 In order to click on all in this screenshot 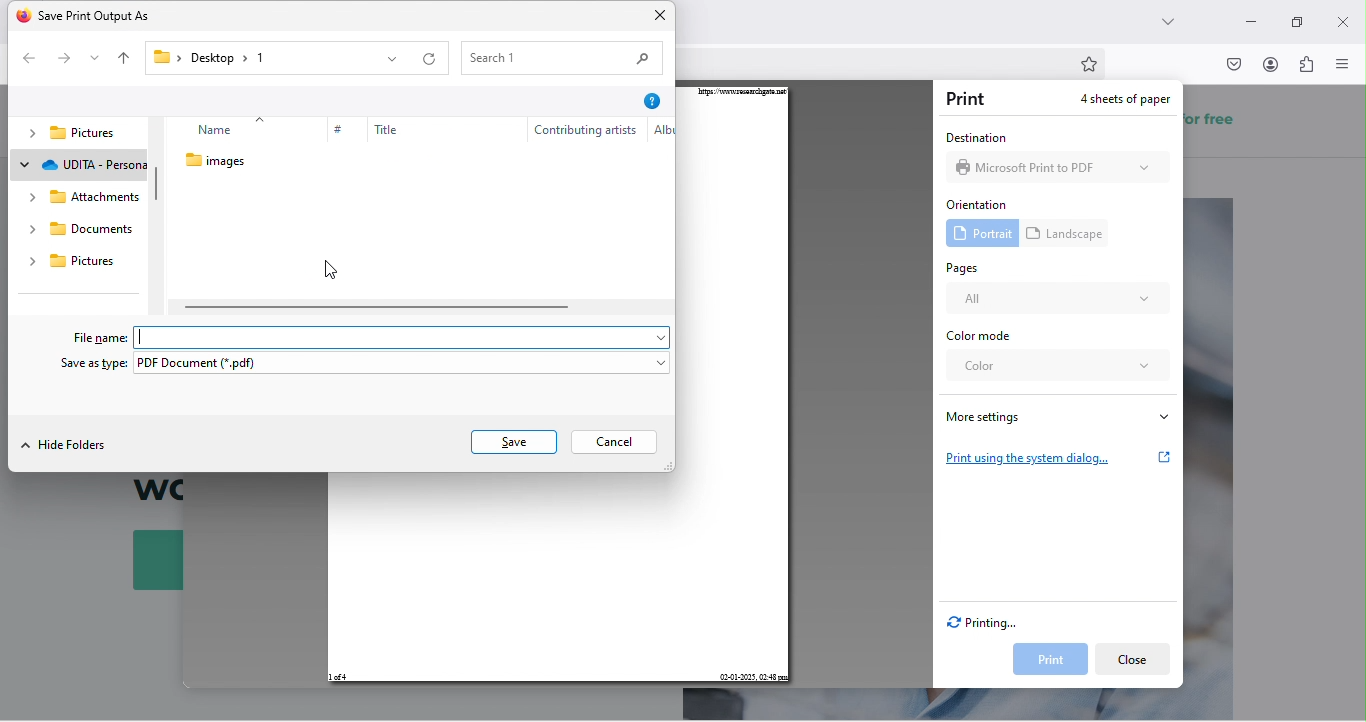, I will do `click(1058, 300)`.